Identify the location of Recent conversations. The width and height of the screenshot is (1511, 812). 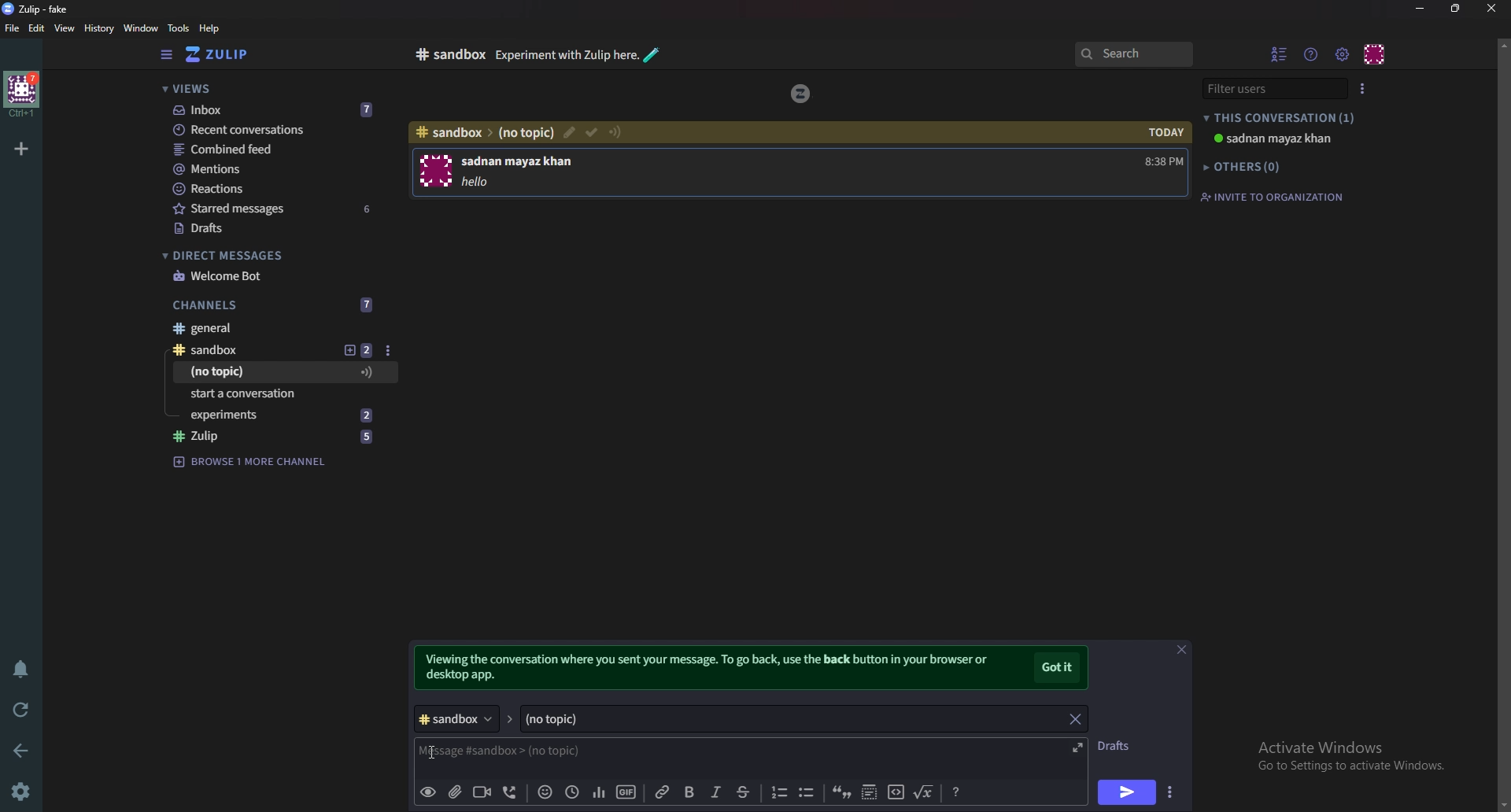
(271, 128).